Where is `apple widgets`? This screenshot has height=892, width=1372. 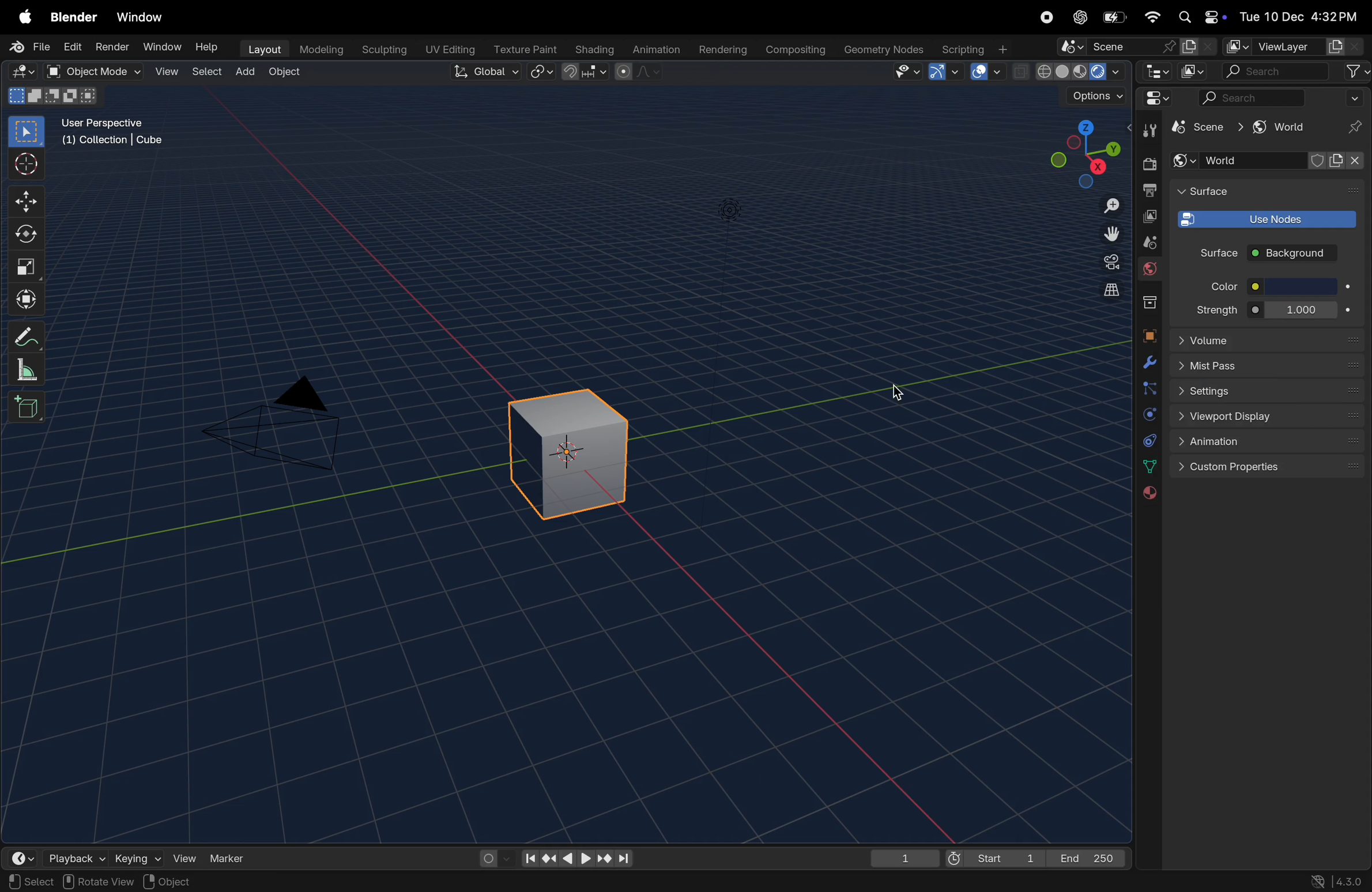 apple widgets is located at coordinates (1199, 17).